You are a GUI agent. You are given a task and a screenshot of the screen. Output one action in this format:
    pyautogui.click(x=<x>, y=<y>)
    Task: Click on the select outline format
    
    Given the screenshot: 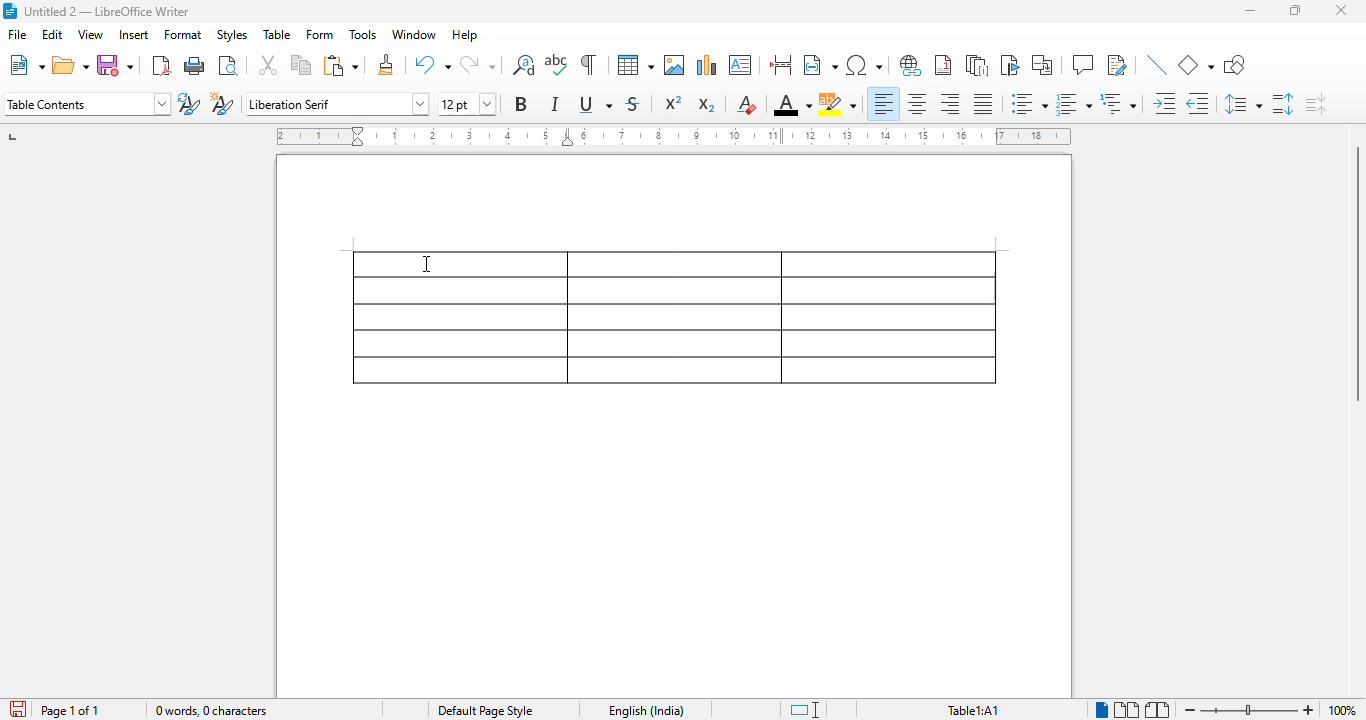 What is the action you would take?
    pyautogui.click(x=1118, y=103)
    